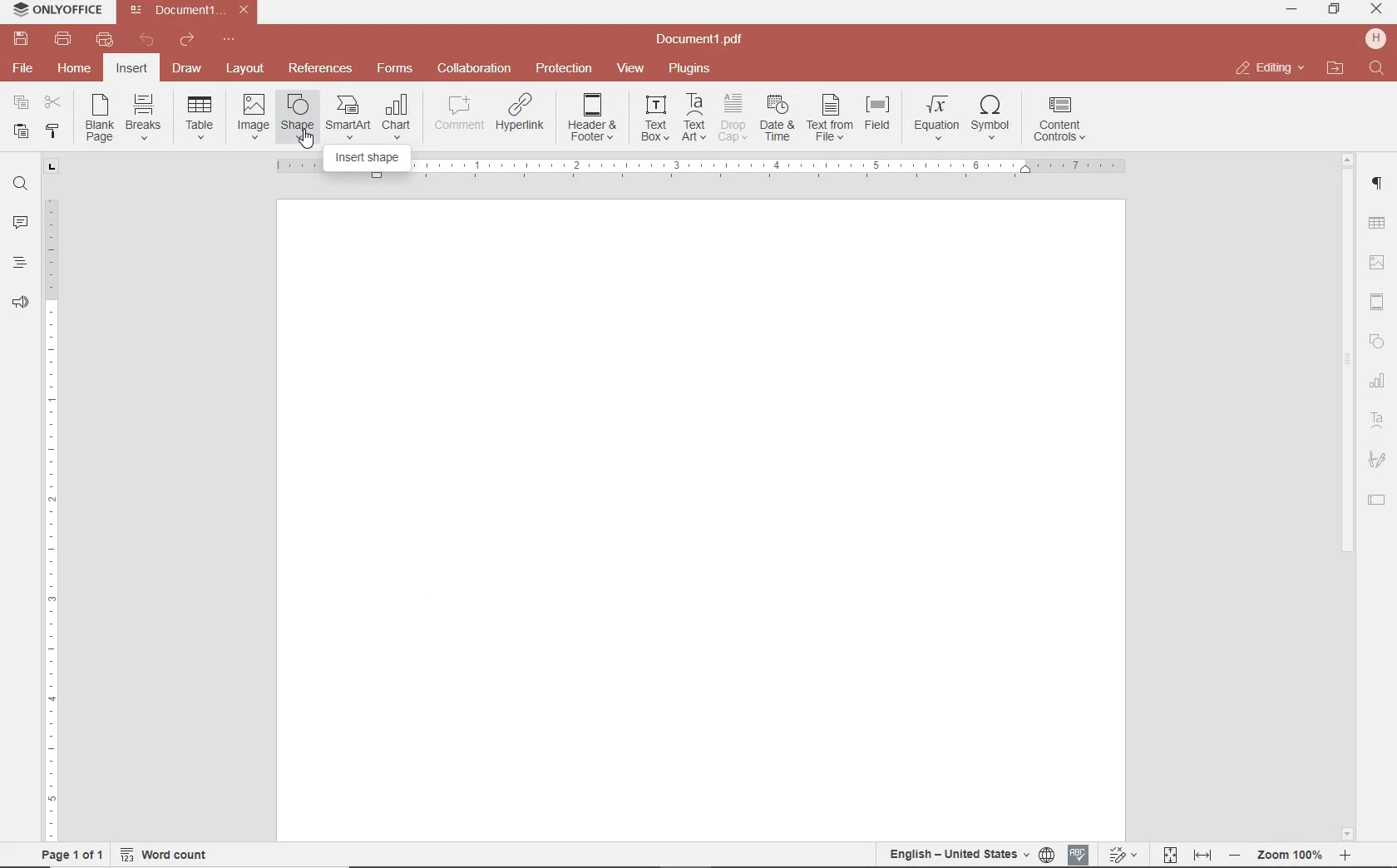  I want to click on undo, so click(147, 40).